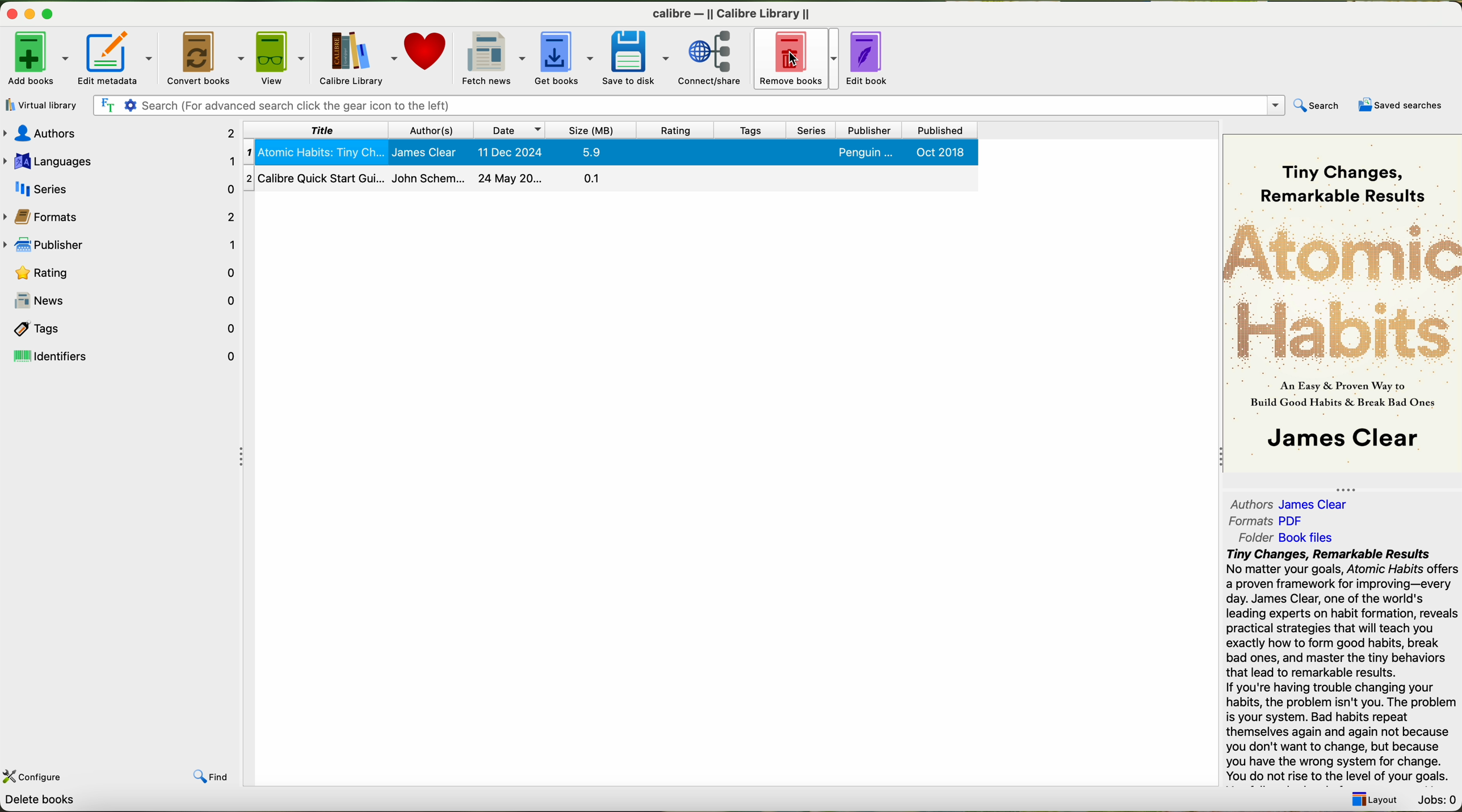 Image resolution: width=1462 pixels, height=812 pixels. I want to click on search bar, so click(689, 105).